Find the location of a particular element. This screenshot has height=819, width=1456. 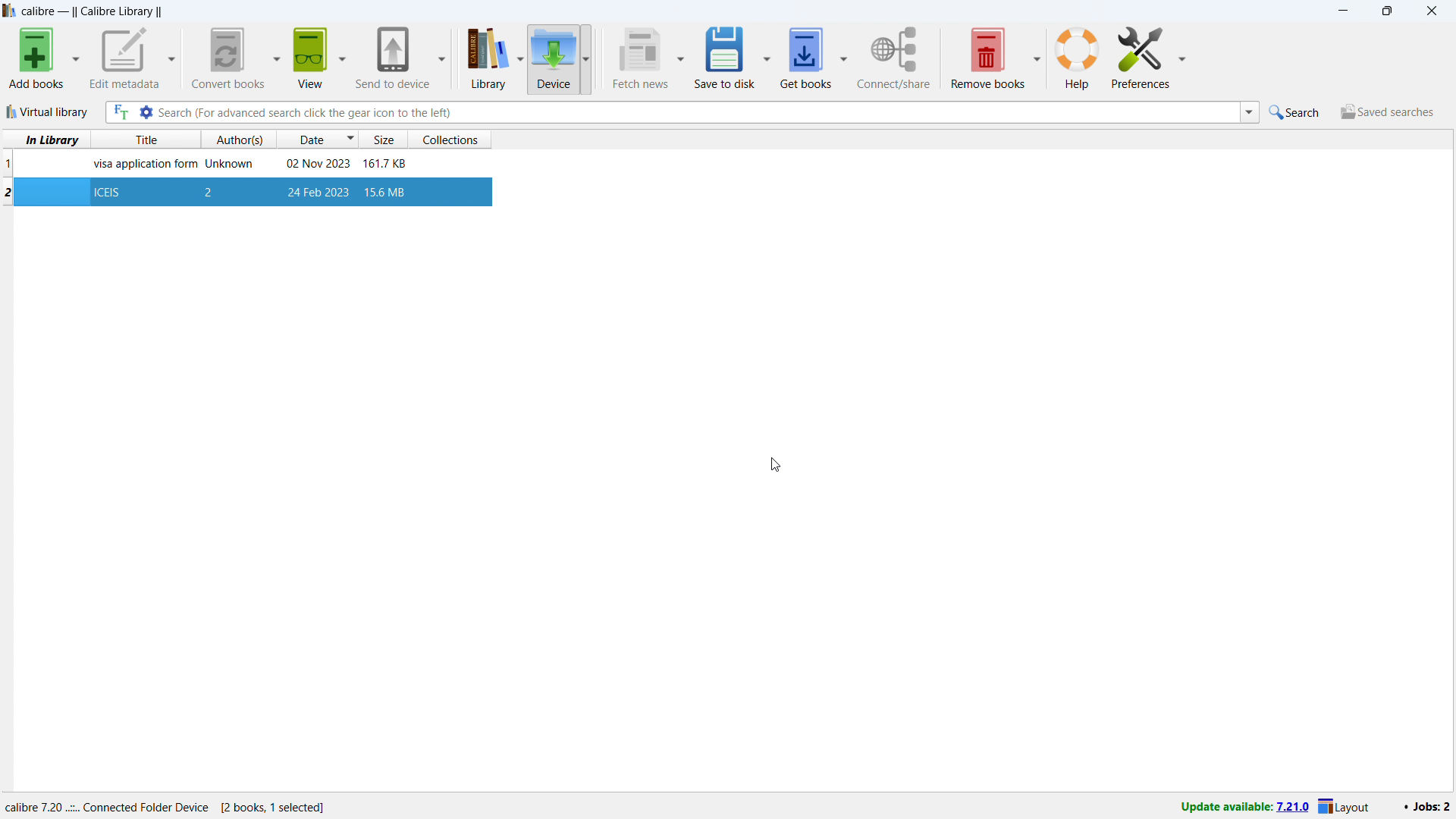

get books options is located at coordinates (845, 55).